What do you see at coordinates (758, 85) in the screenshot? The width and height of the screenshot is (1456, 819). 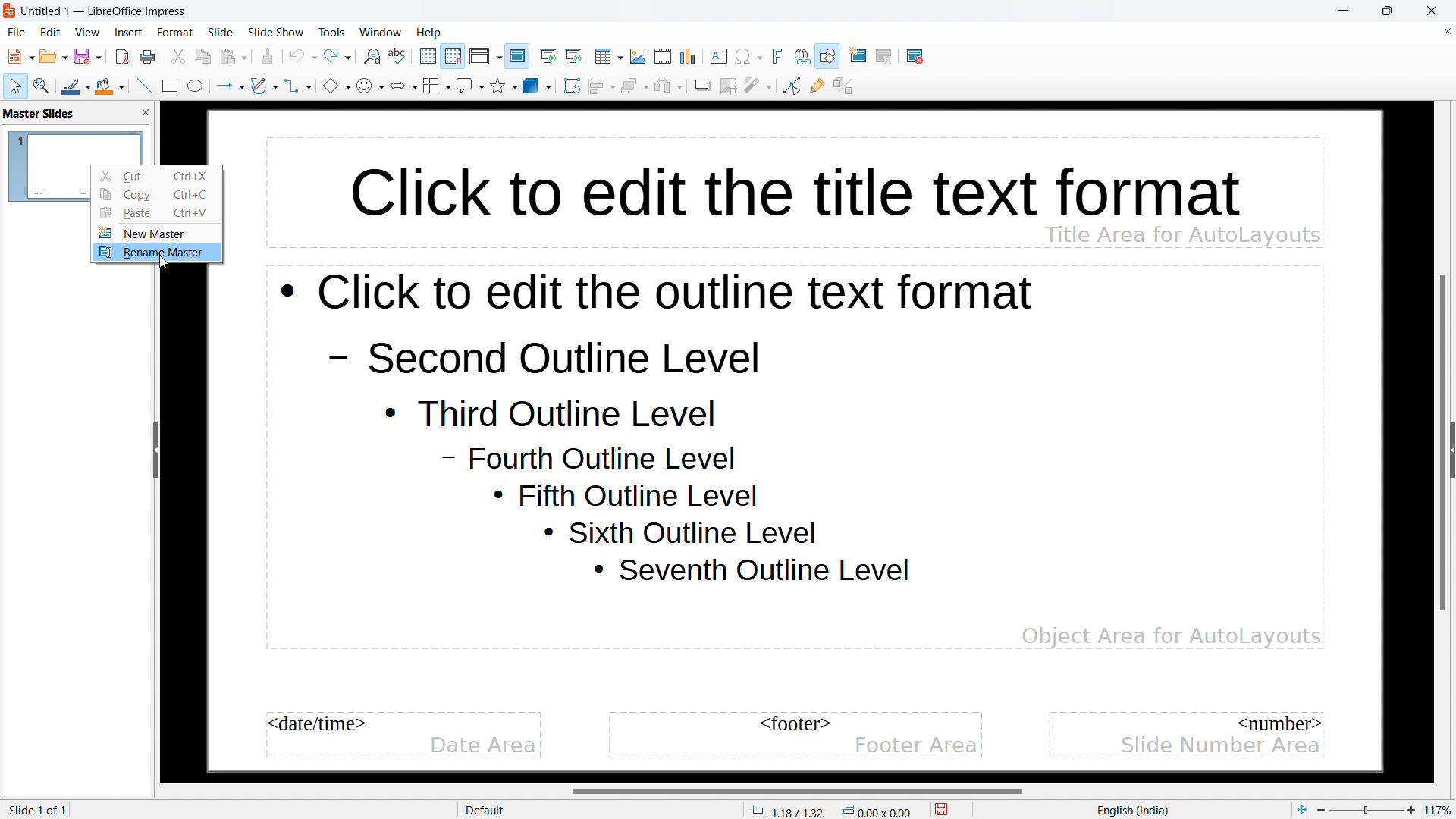 I see `filter` at bounding box center [758, 85].